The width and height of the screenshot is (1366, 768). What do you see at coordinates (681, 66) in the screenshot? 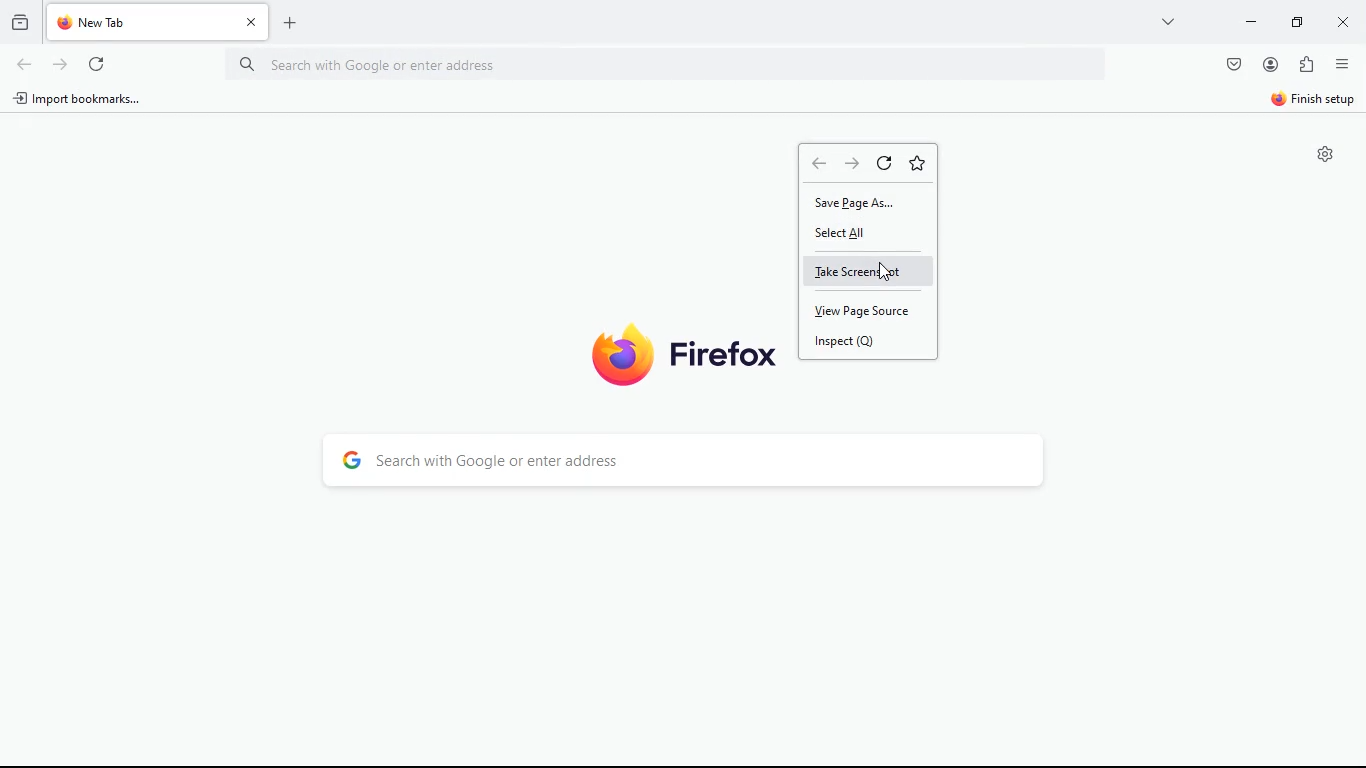
I see `Search bar` at bounding box center [681, 66].